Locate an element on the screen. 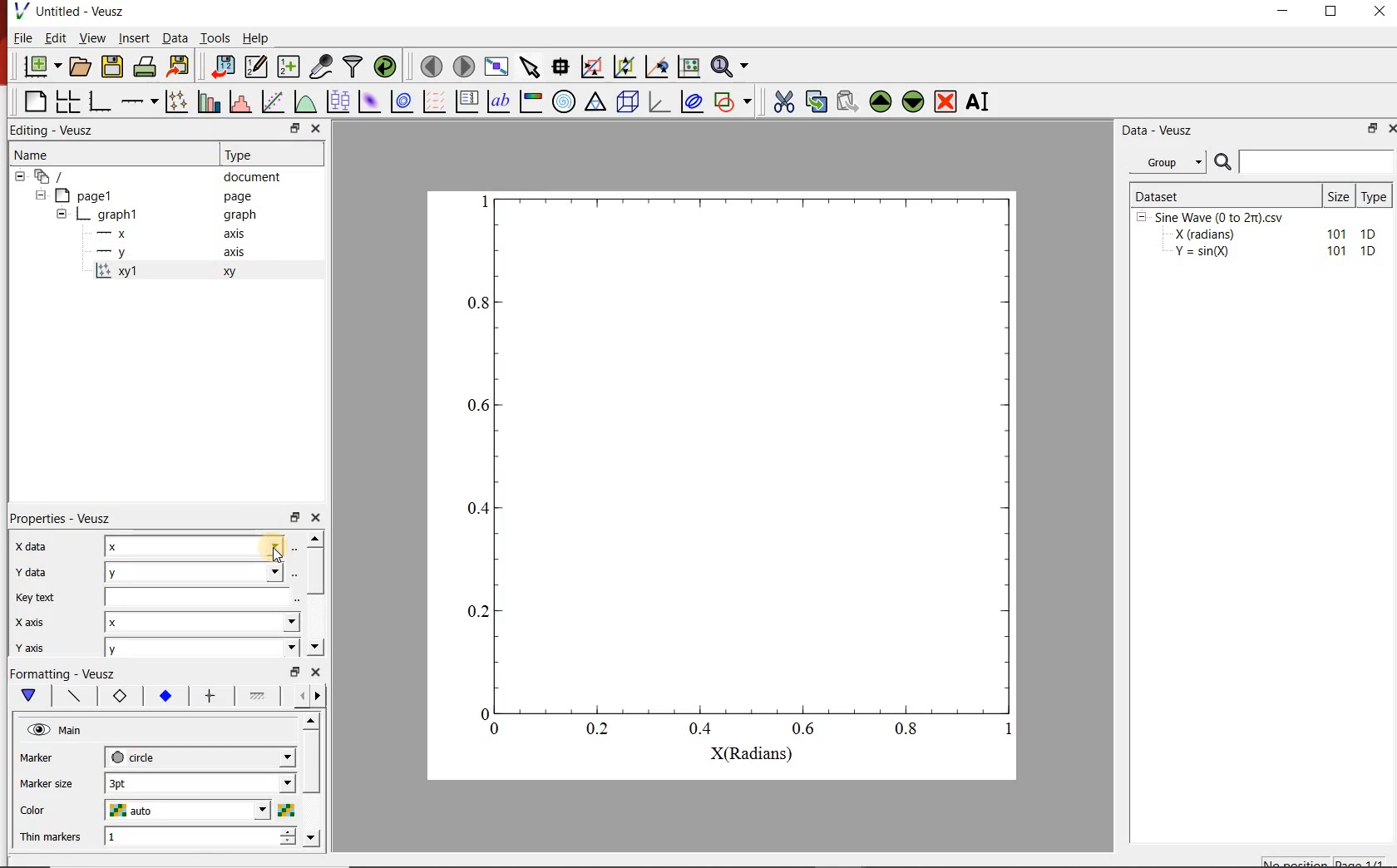 This screenshot has width=1397, height=868. Minimize is located at coordinates (1282, 12).